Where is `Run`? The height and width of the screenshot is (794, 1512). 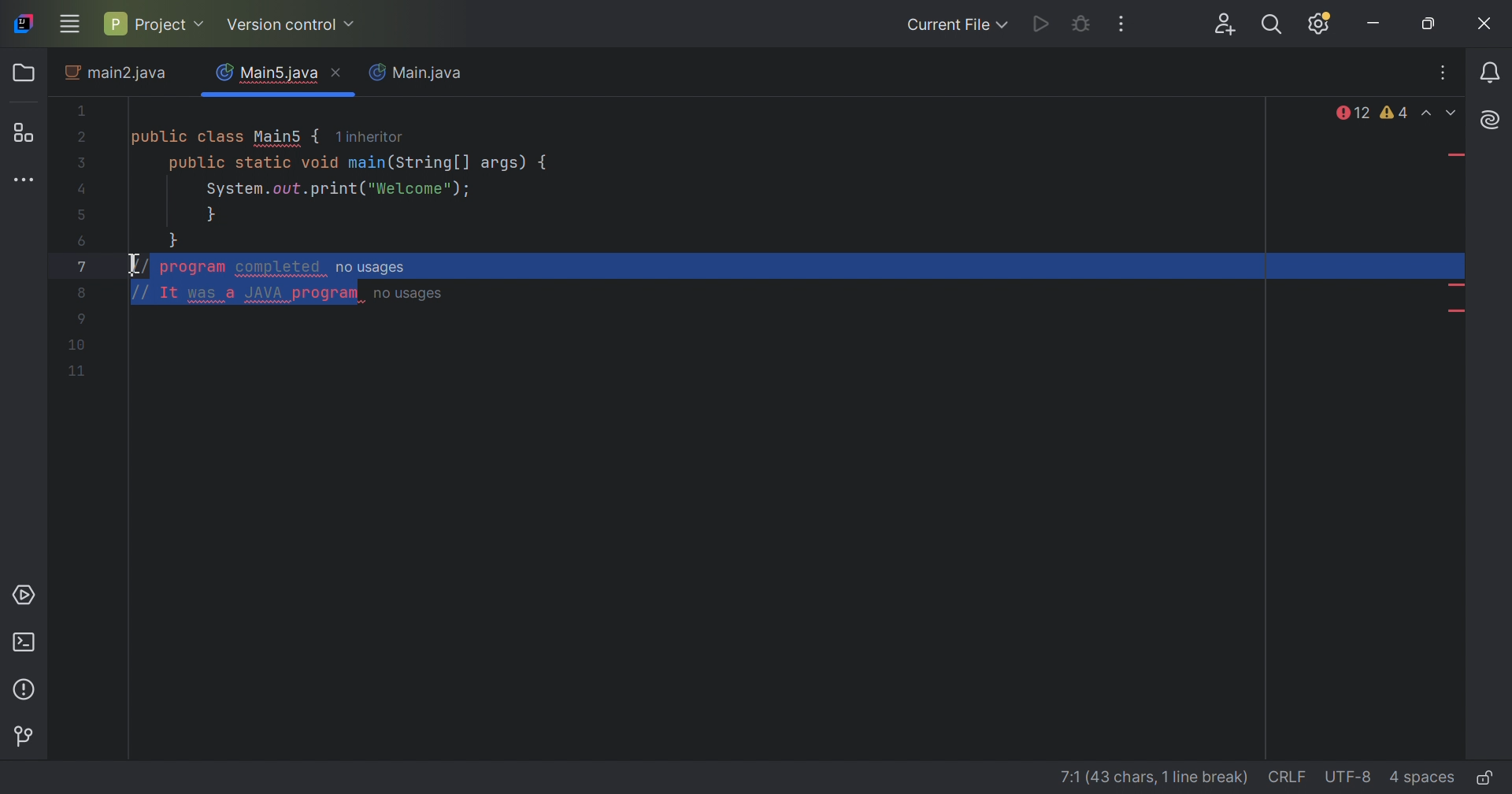
Run is located at coordinates (1043, 24).